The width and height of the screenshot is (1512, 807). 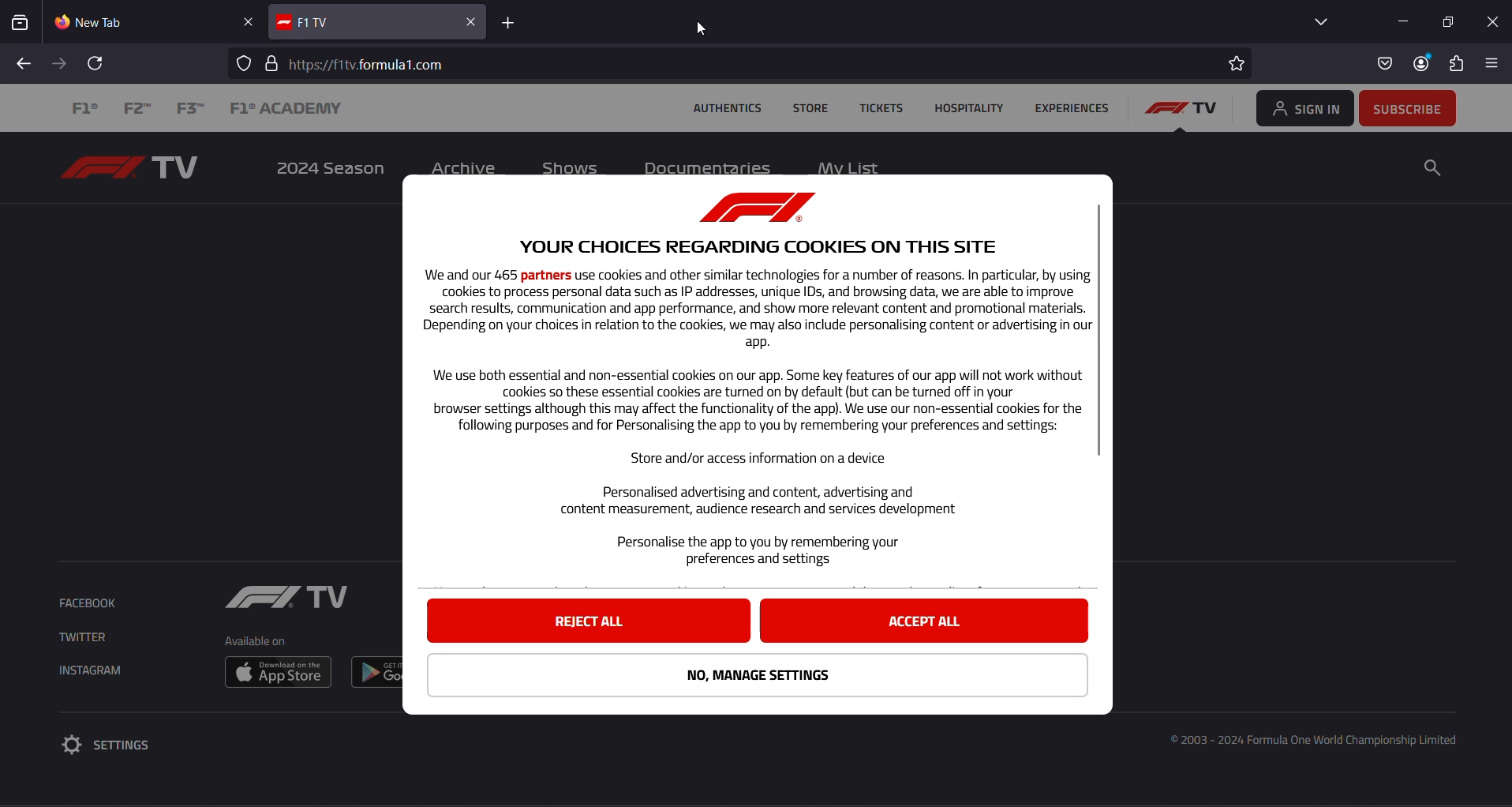 I want to click on close , so click(x=1495, y=23).